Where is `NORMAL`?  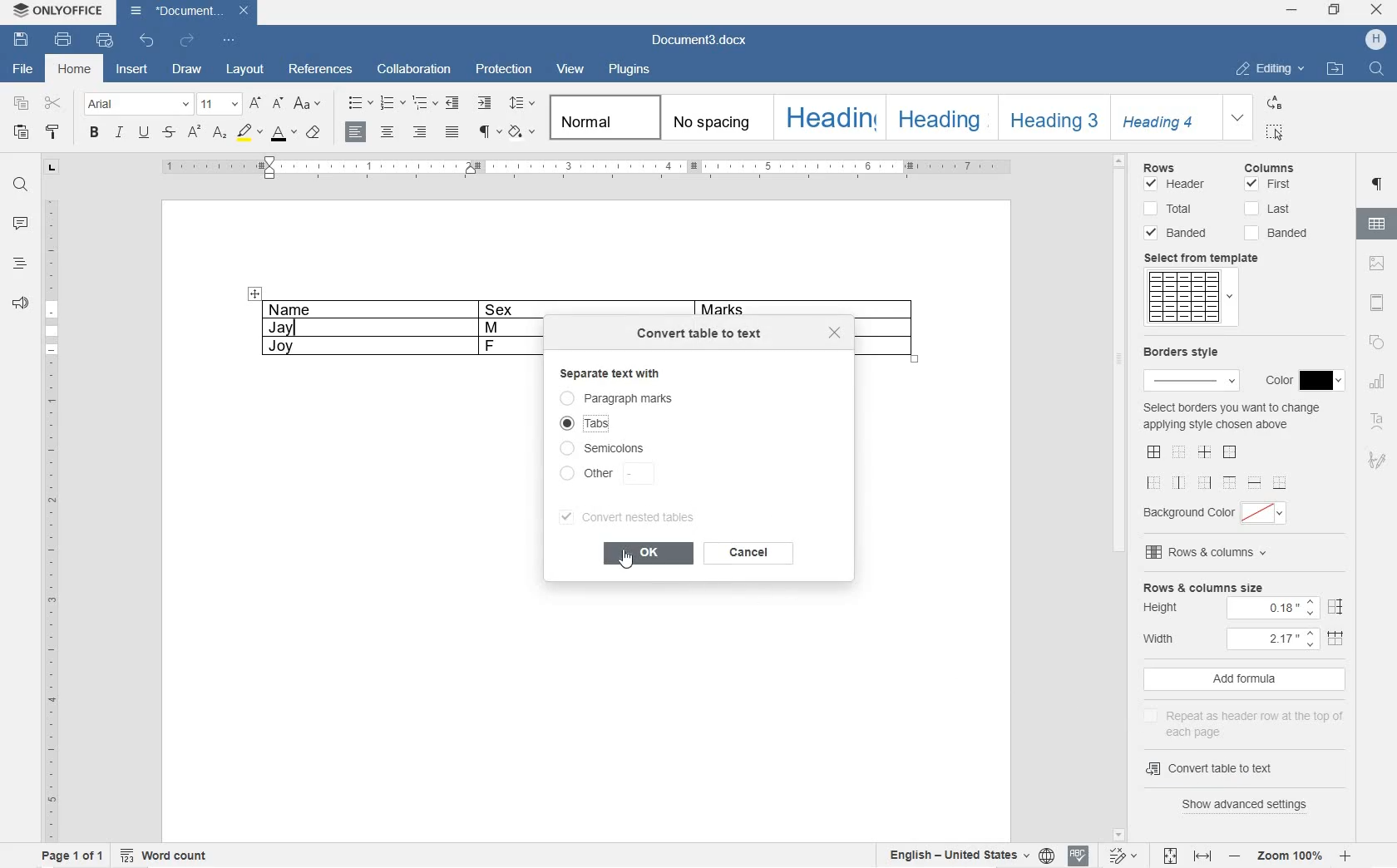 NORMAL is located at coordinates (598, 117).